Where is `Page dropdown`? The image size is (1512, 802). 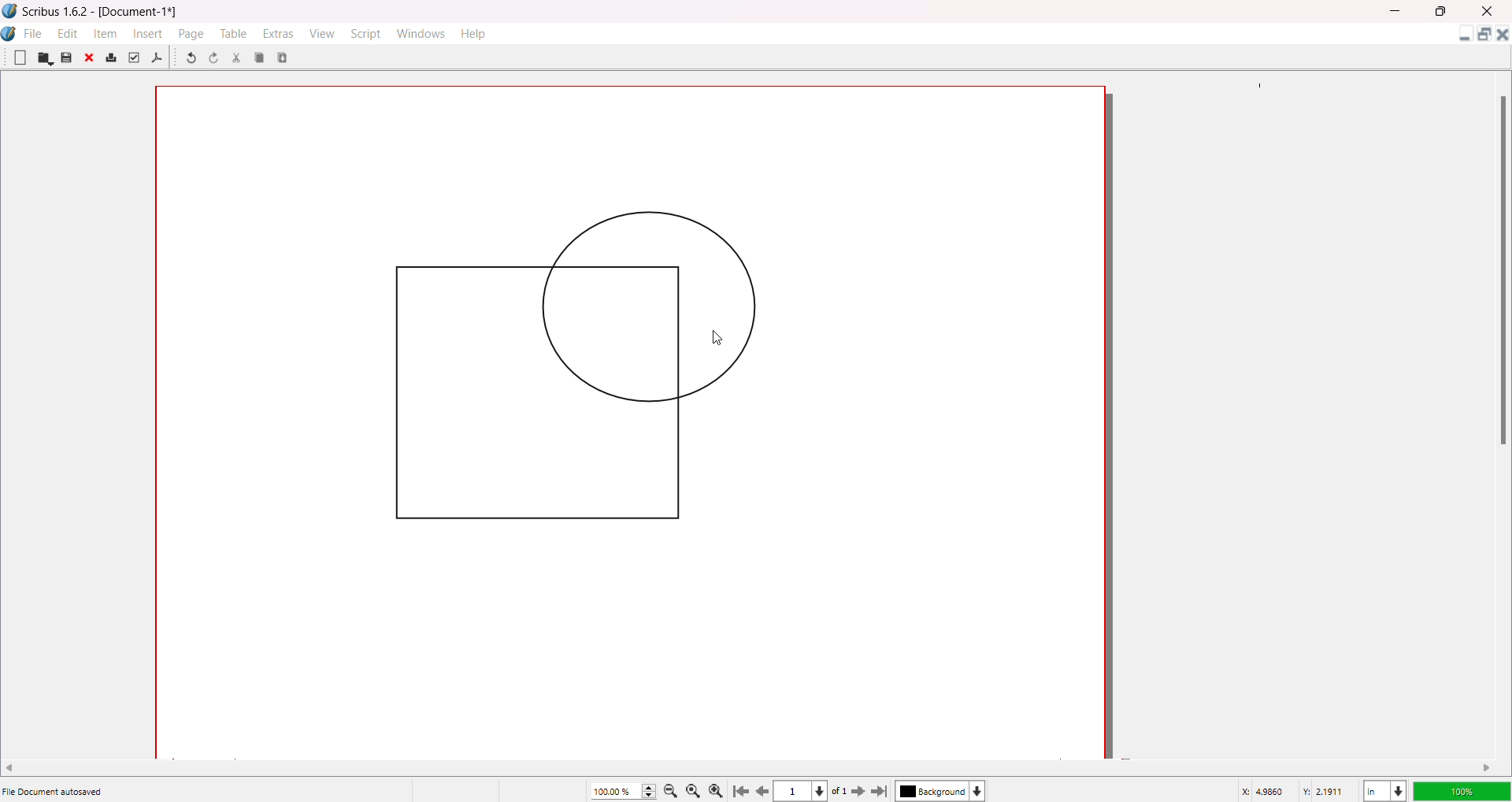
Page dropdown is located at coordinates (826, 790).